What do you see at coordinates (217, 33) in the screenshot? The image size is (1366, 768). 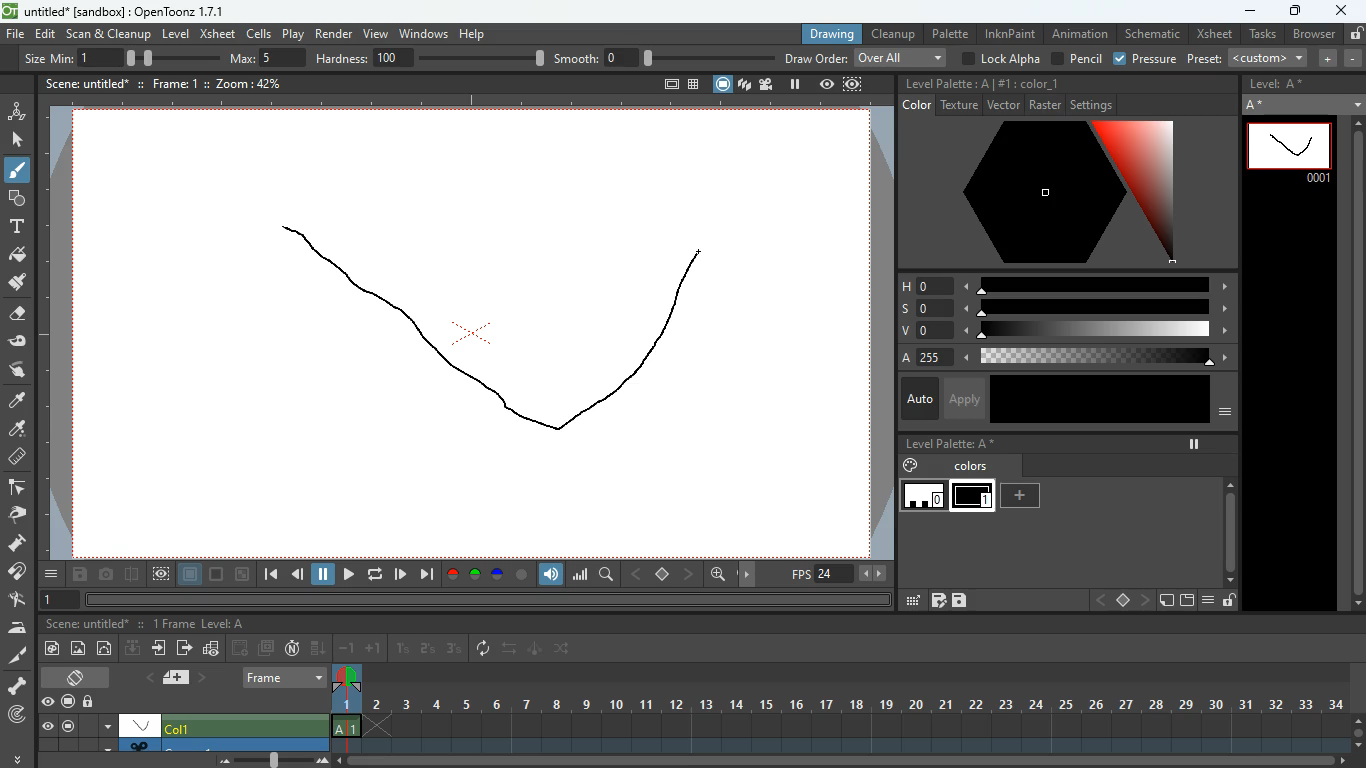 I see `xsheet` at bounding box center [217, 33].